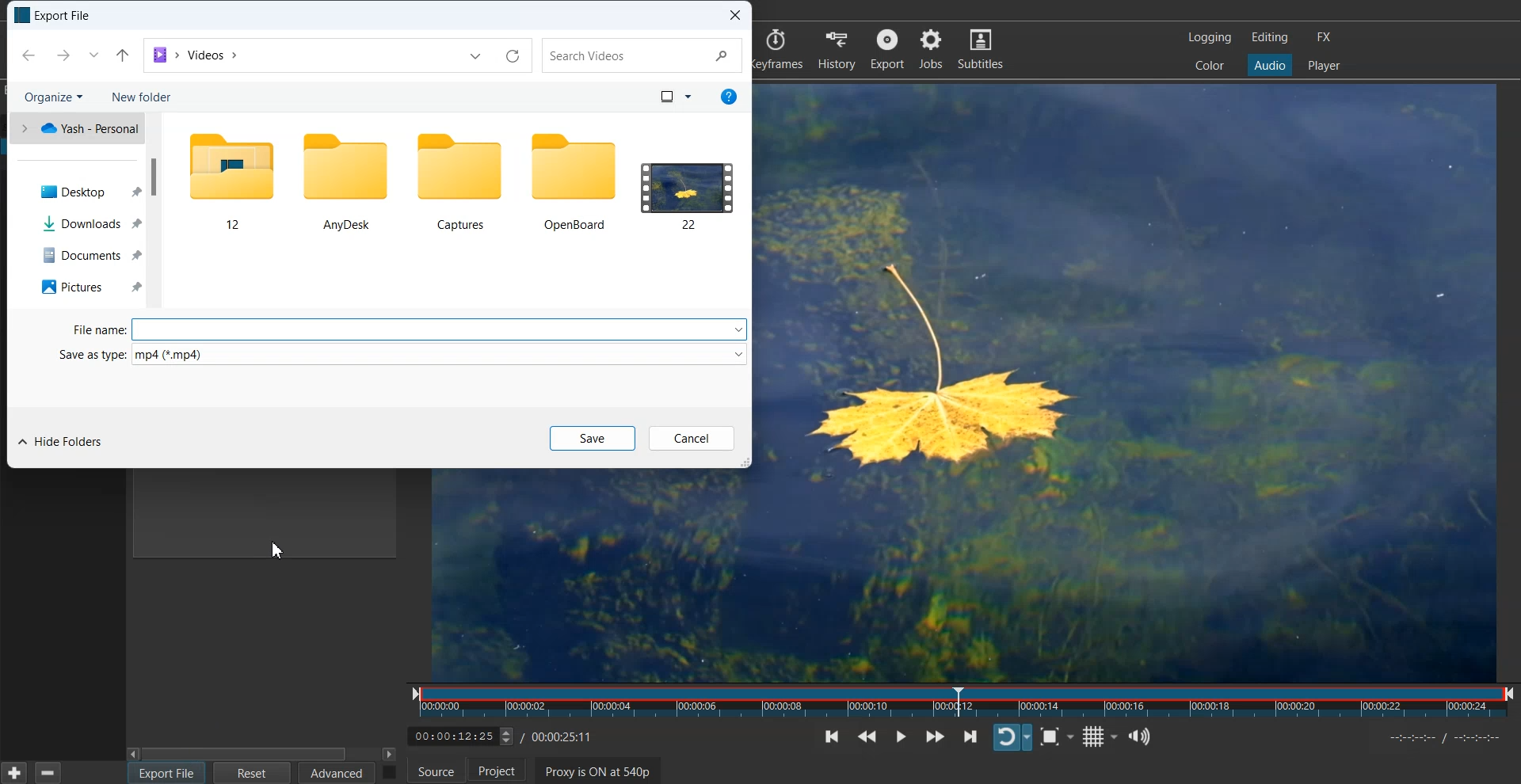  I want to click on Editing, so click(1270, 36).